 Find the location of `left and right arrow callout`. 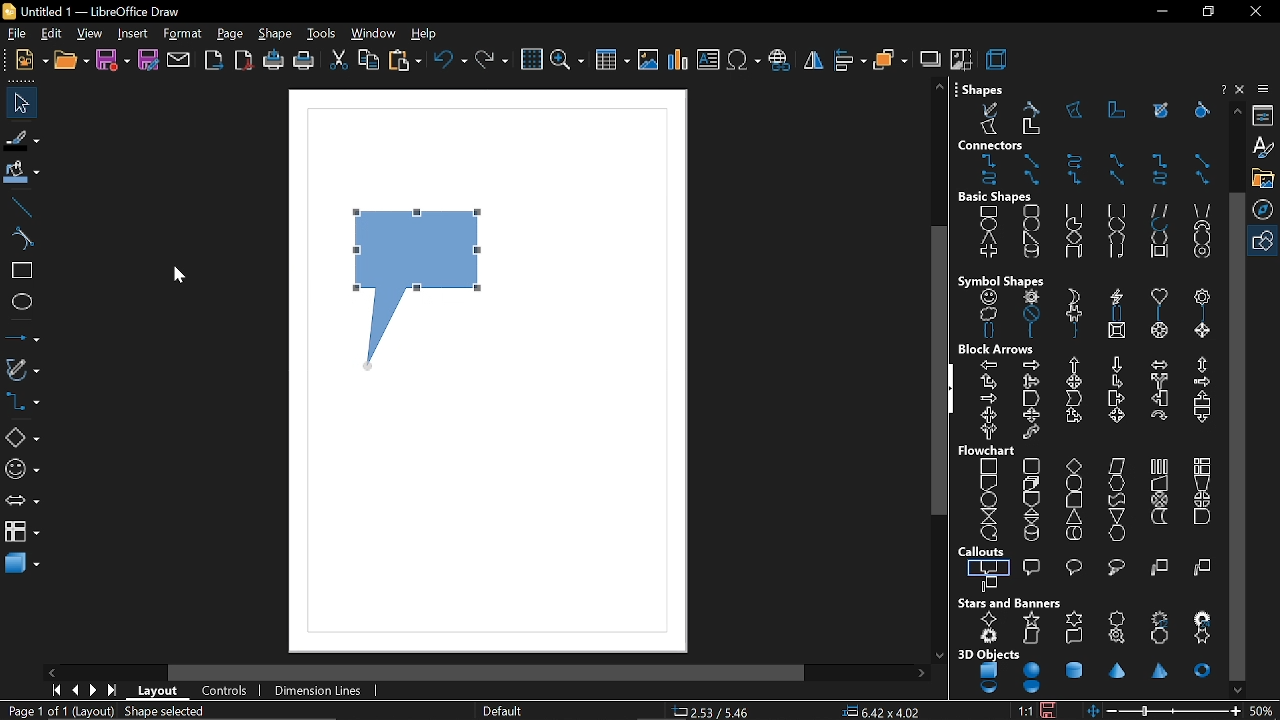

left and right arrow callout is located at coordinates (990, 414).